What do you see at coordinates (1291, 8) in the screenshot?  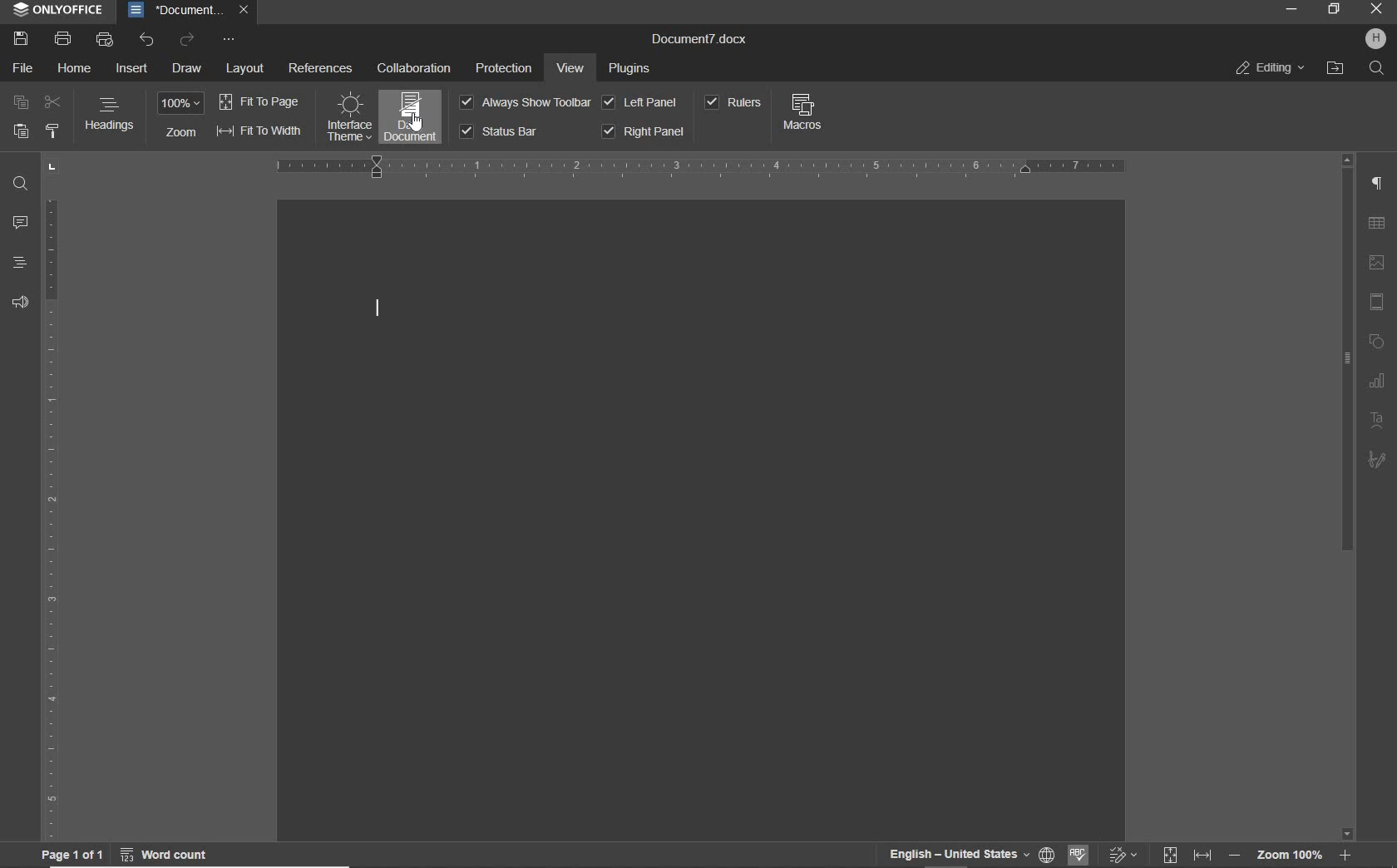 I see `MINIMIZE` at bounding box center [1291, 8].